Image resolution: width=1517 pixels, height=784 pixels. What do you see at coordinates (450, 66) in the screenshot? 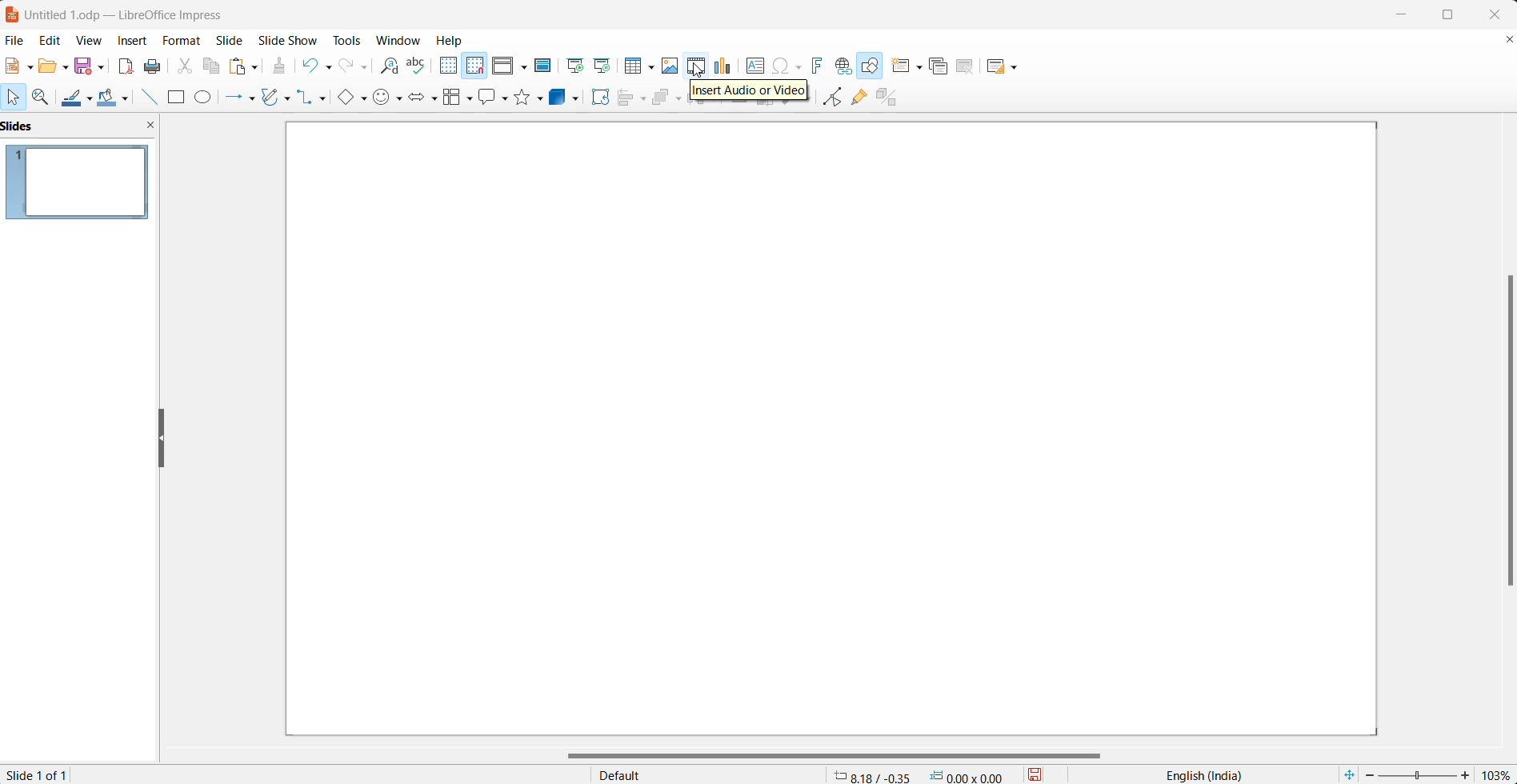
I see `display grid` at bounding box center [450, 66].